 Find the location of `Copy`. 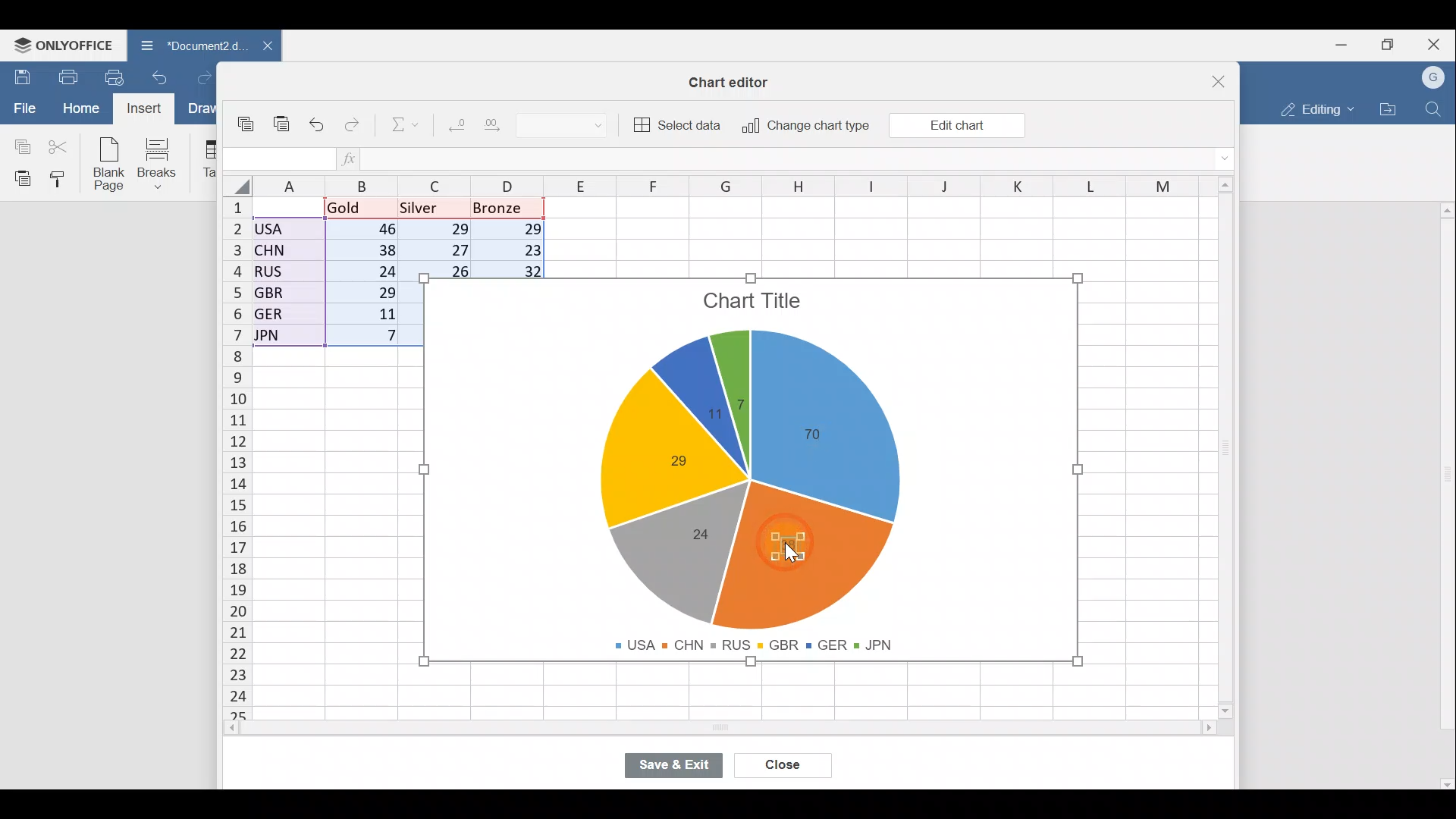

Copy is located at coordinates (19, 144).